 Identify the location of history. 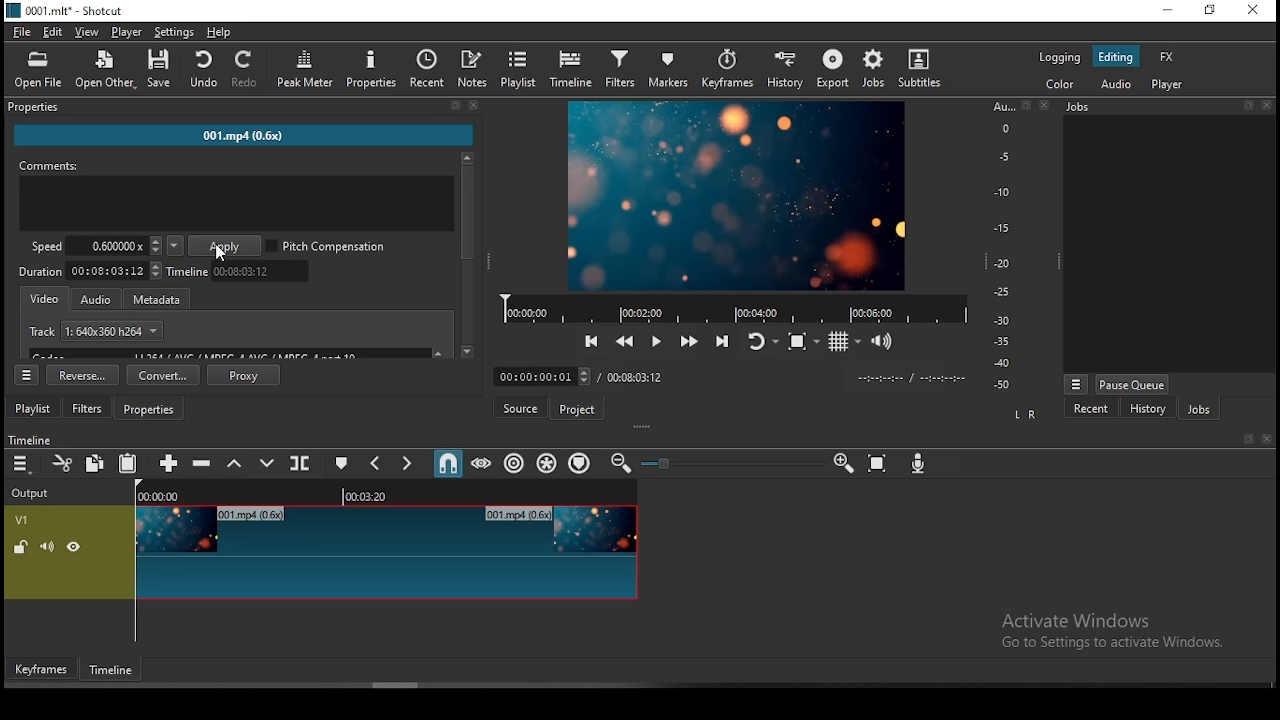
(785, 68).